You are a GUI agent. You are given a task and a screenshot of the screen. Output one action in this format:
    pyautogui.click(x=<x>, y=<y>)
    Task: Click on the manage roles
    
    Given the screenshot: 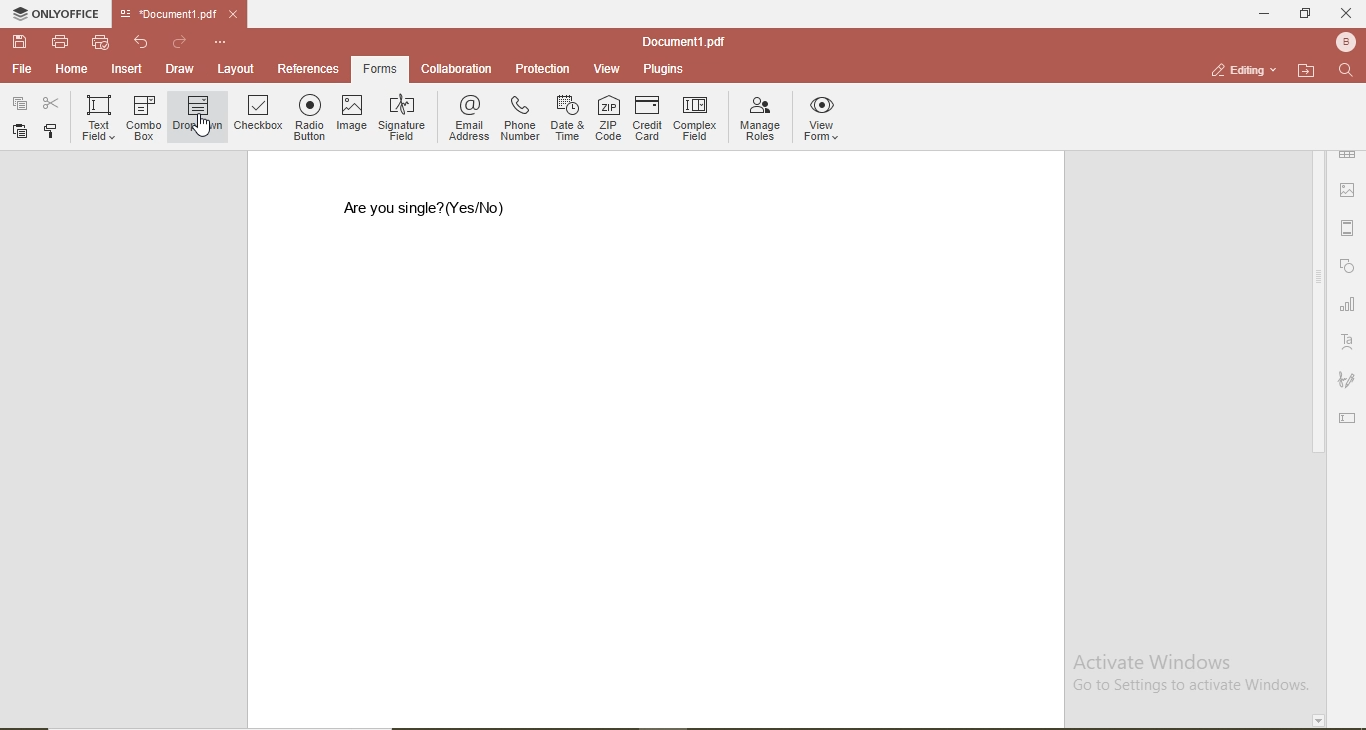 What is the action you would take?
    pyautogui.click(x=758, y=119)
    